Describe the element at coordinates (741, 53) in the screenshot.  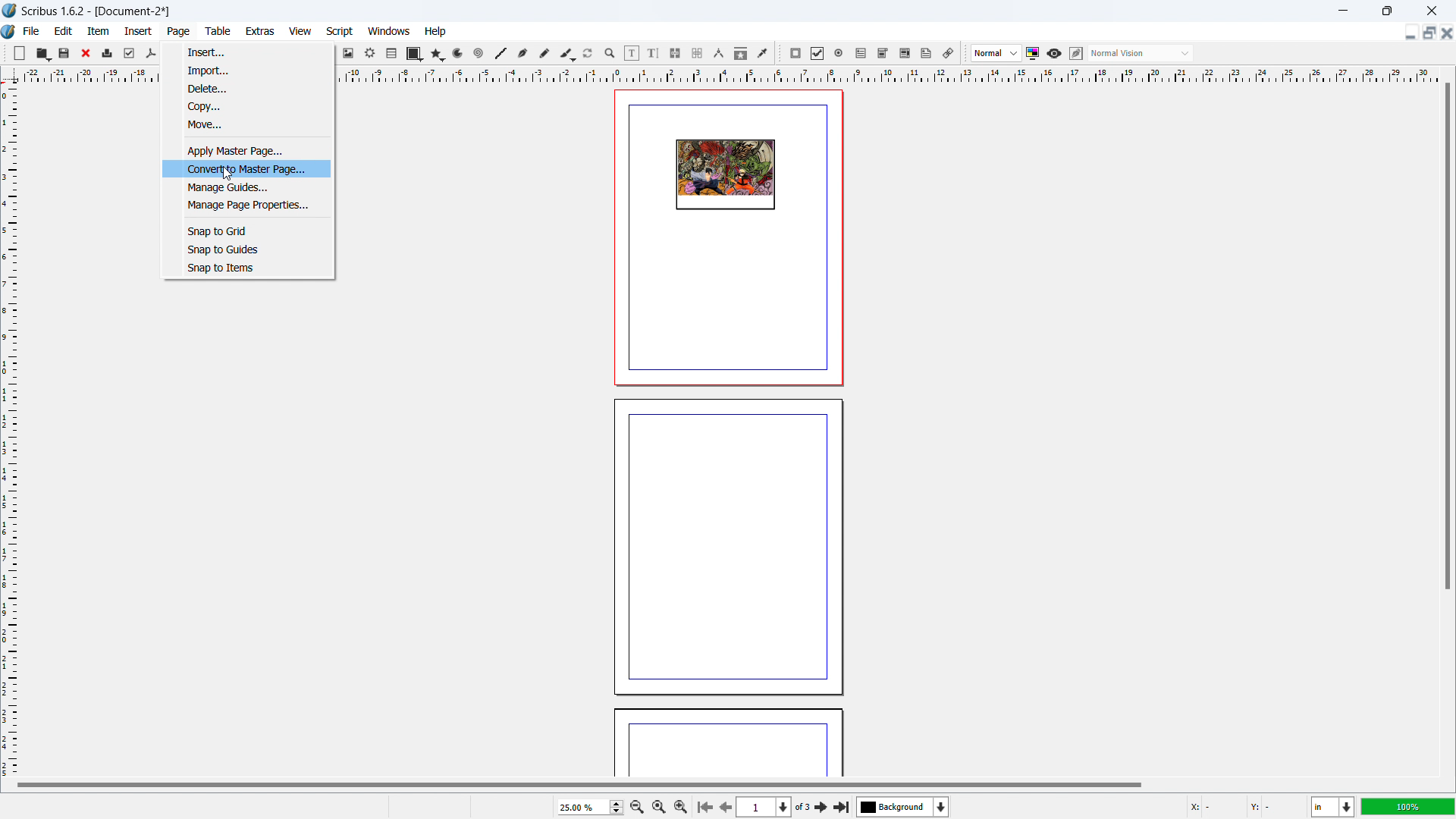
I see `copy item properties` at that location.